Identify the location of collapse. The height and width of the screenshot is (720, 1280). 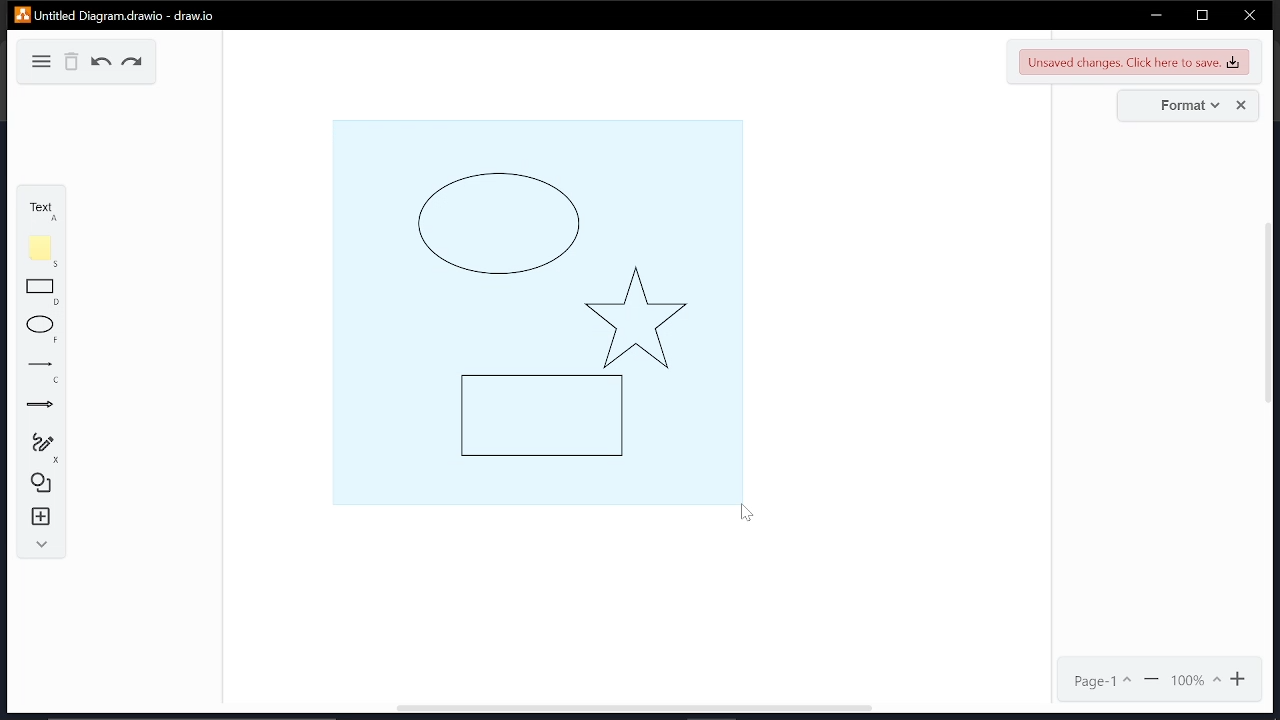
(39, 545).